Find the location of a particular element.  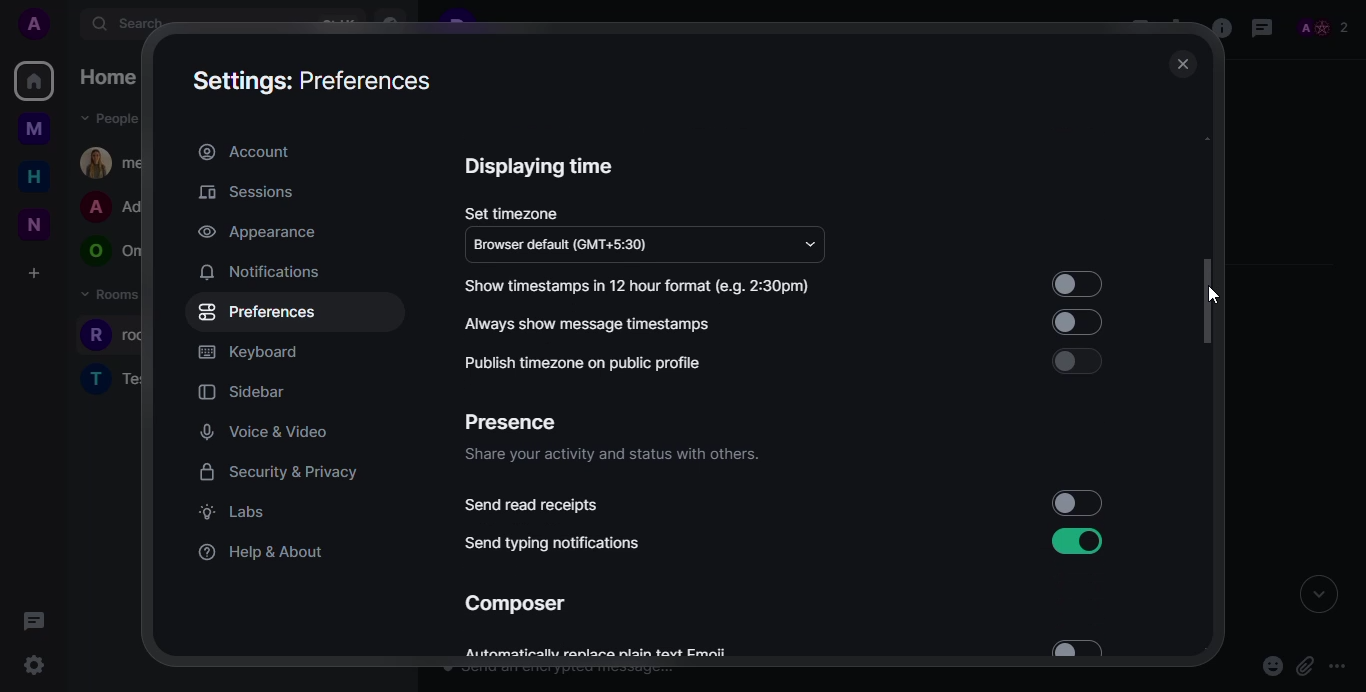

send typing notifications is located at coordinates (553, 542).